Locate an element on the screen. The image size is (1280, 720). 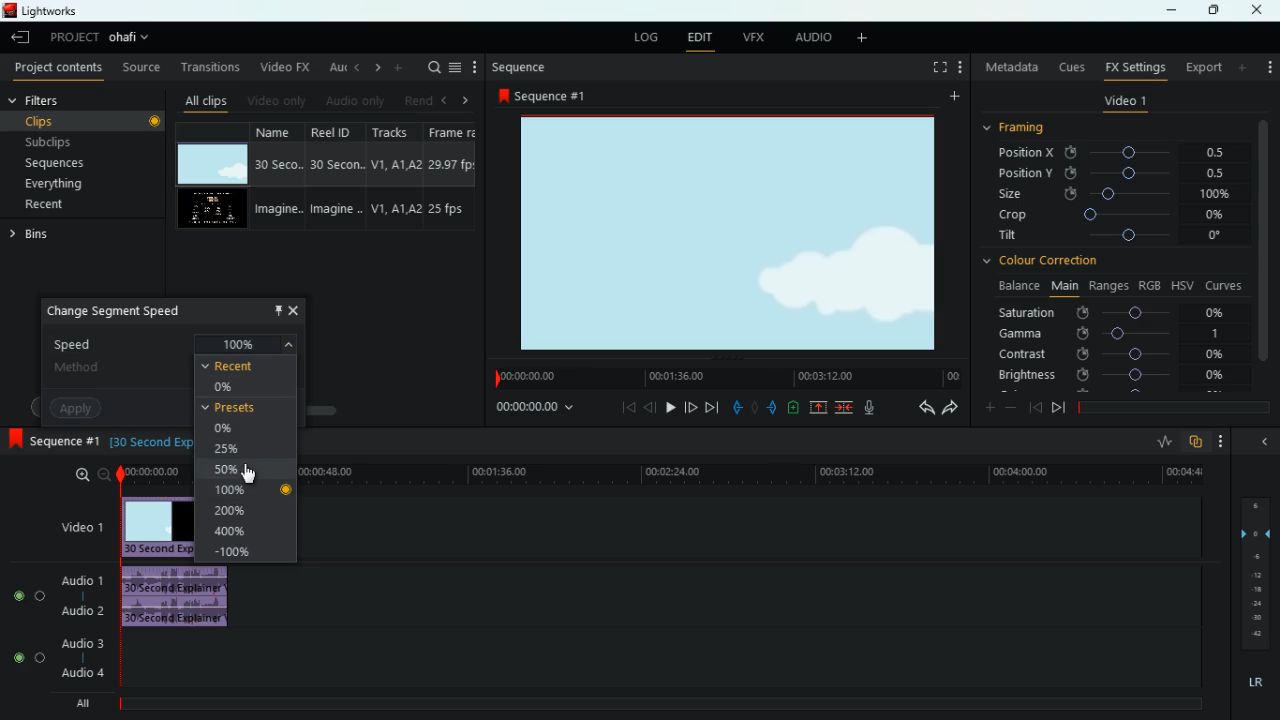
hsv is located at coordinates (1182, 285).